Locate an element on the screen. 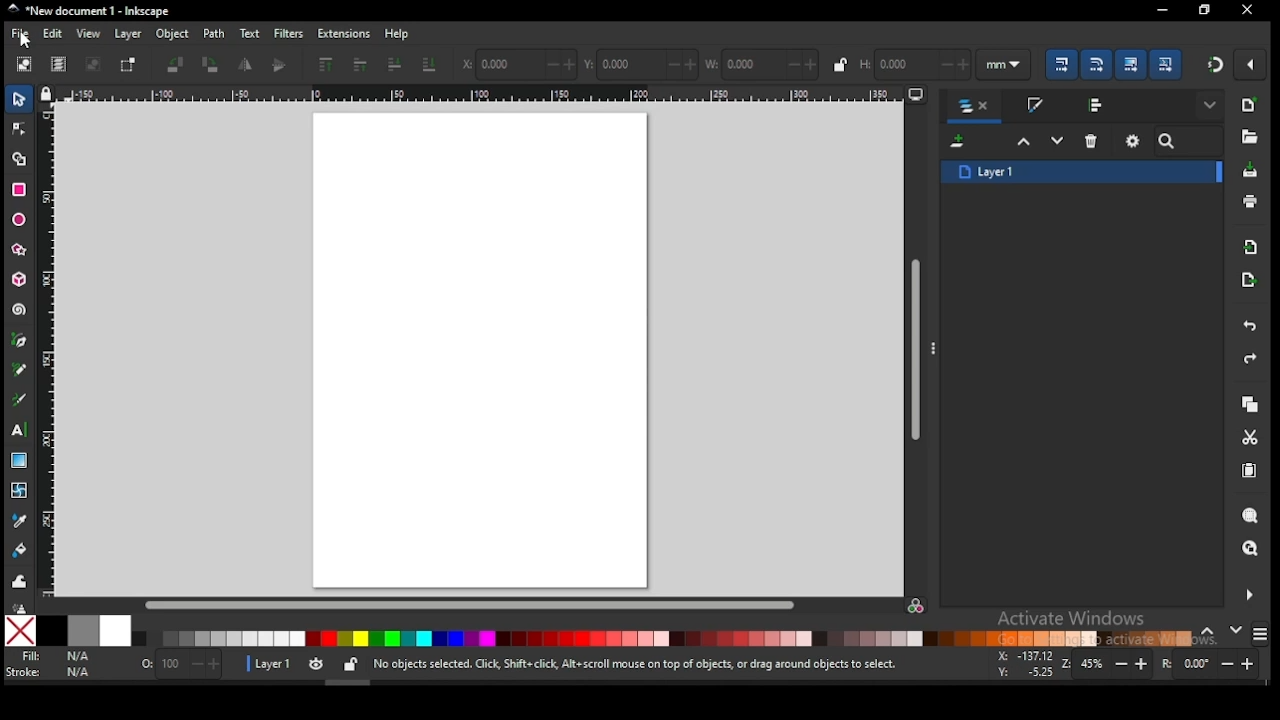  gradient tool is located at coordinates (21, 462).